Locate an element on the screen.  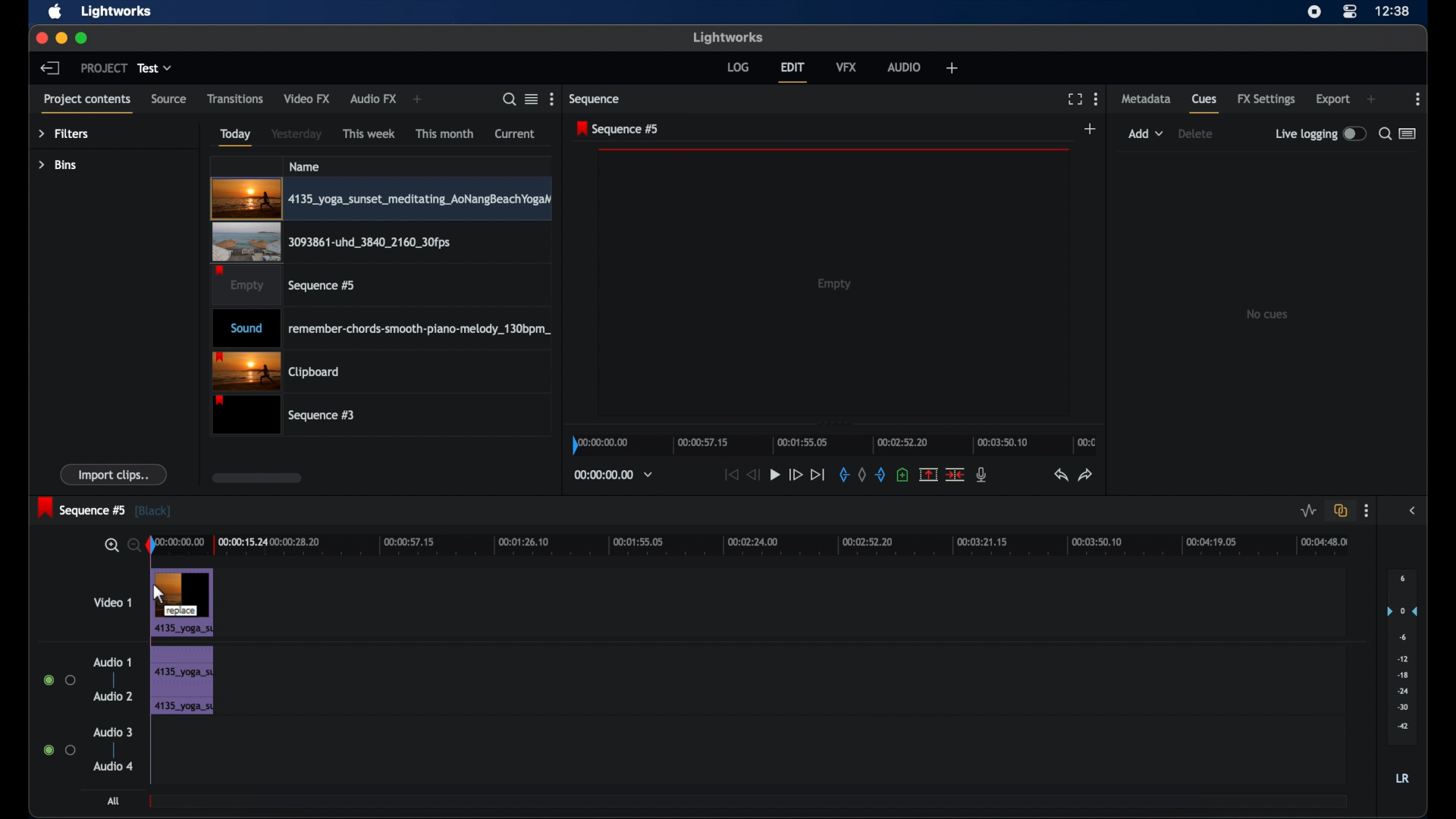
clear all marks is located at coordinates (861, 474).